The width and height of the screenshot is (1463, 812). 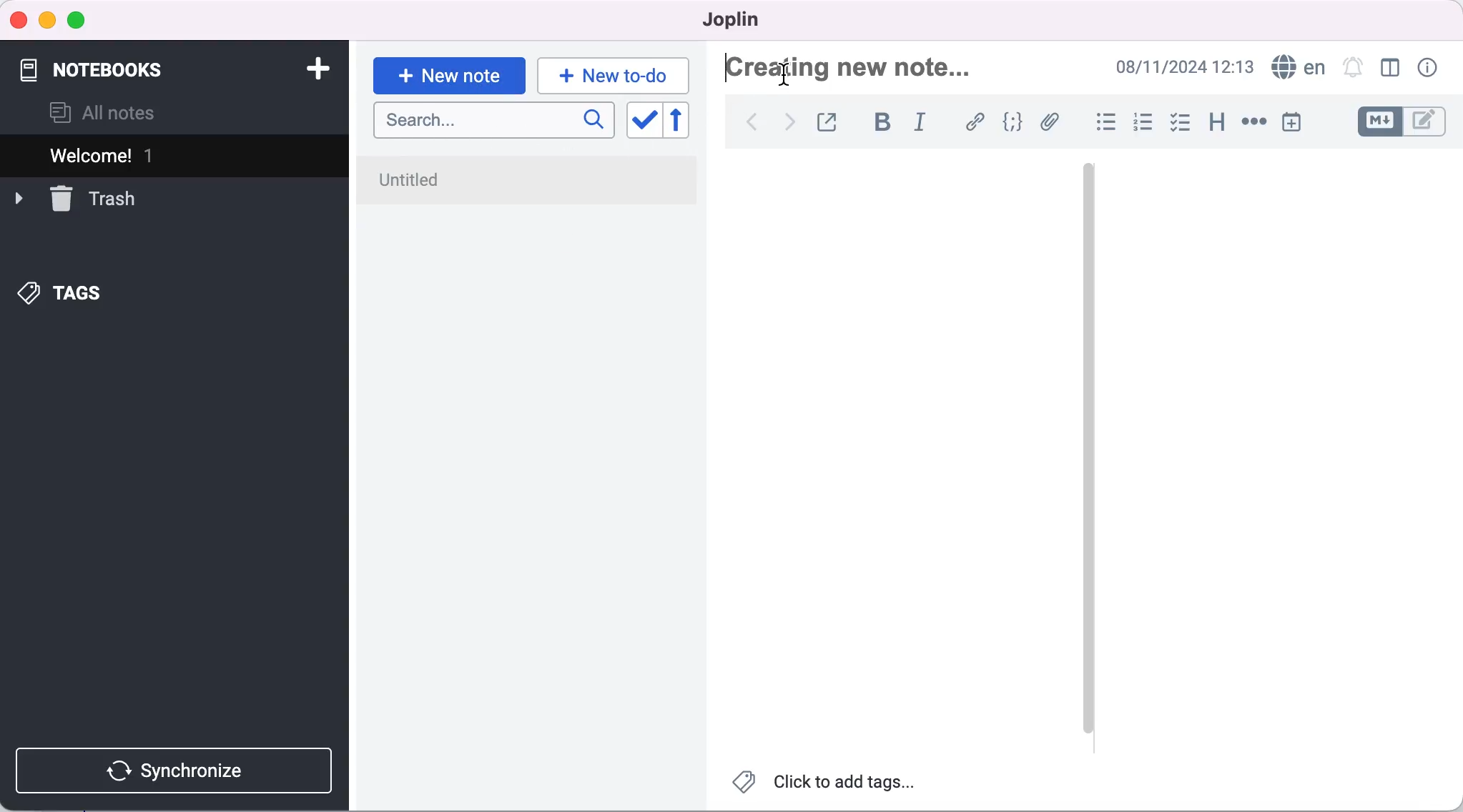 I want to click on language, so click(x=1296, y=67).